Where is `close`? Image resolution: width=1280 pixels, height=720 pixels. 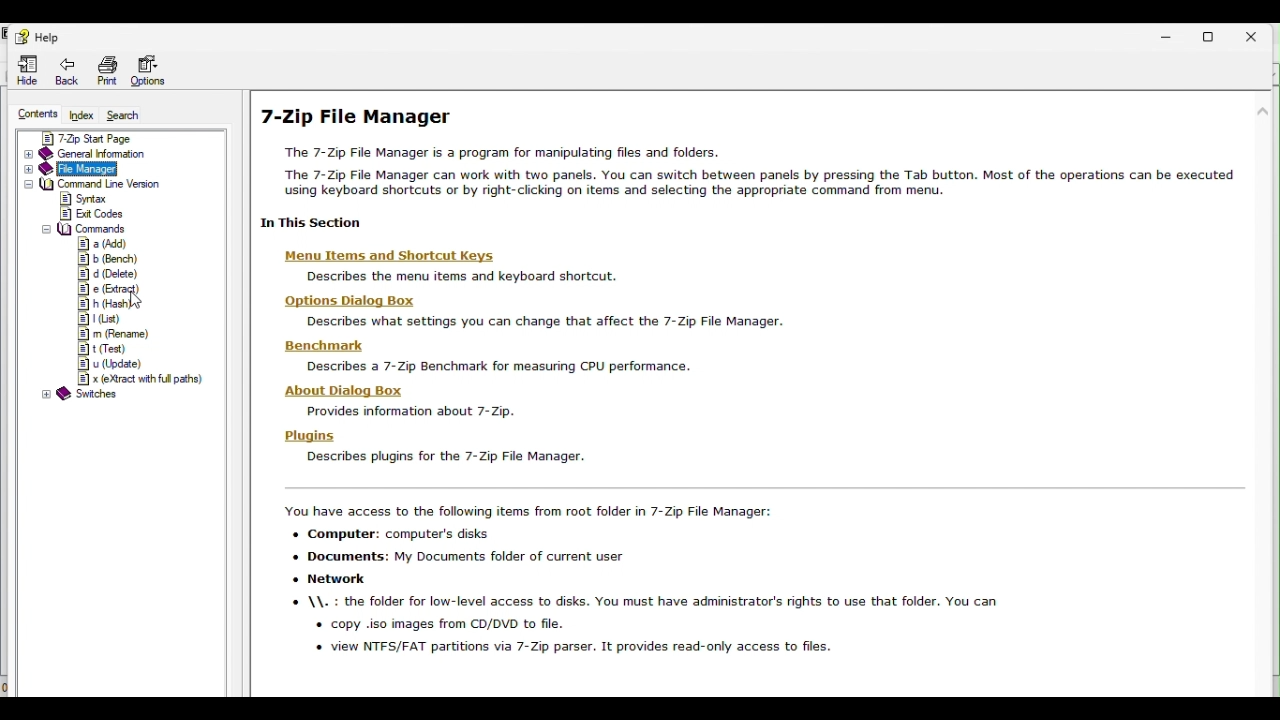 close is located at coordinates (1260, 33).